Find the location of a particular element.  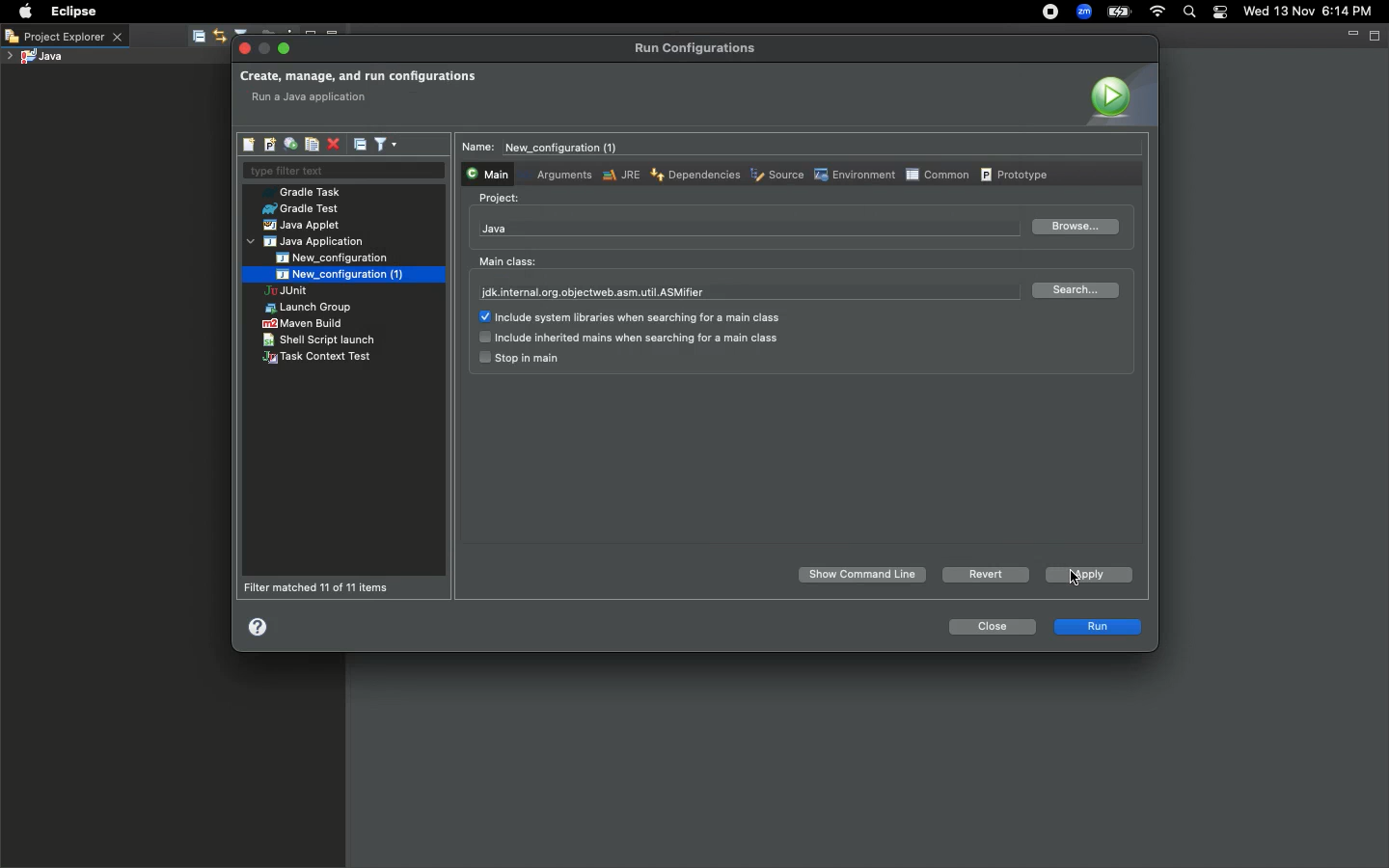

Close is located at coordinates (990, 627).